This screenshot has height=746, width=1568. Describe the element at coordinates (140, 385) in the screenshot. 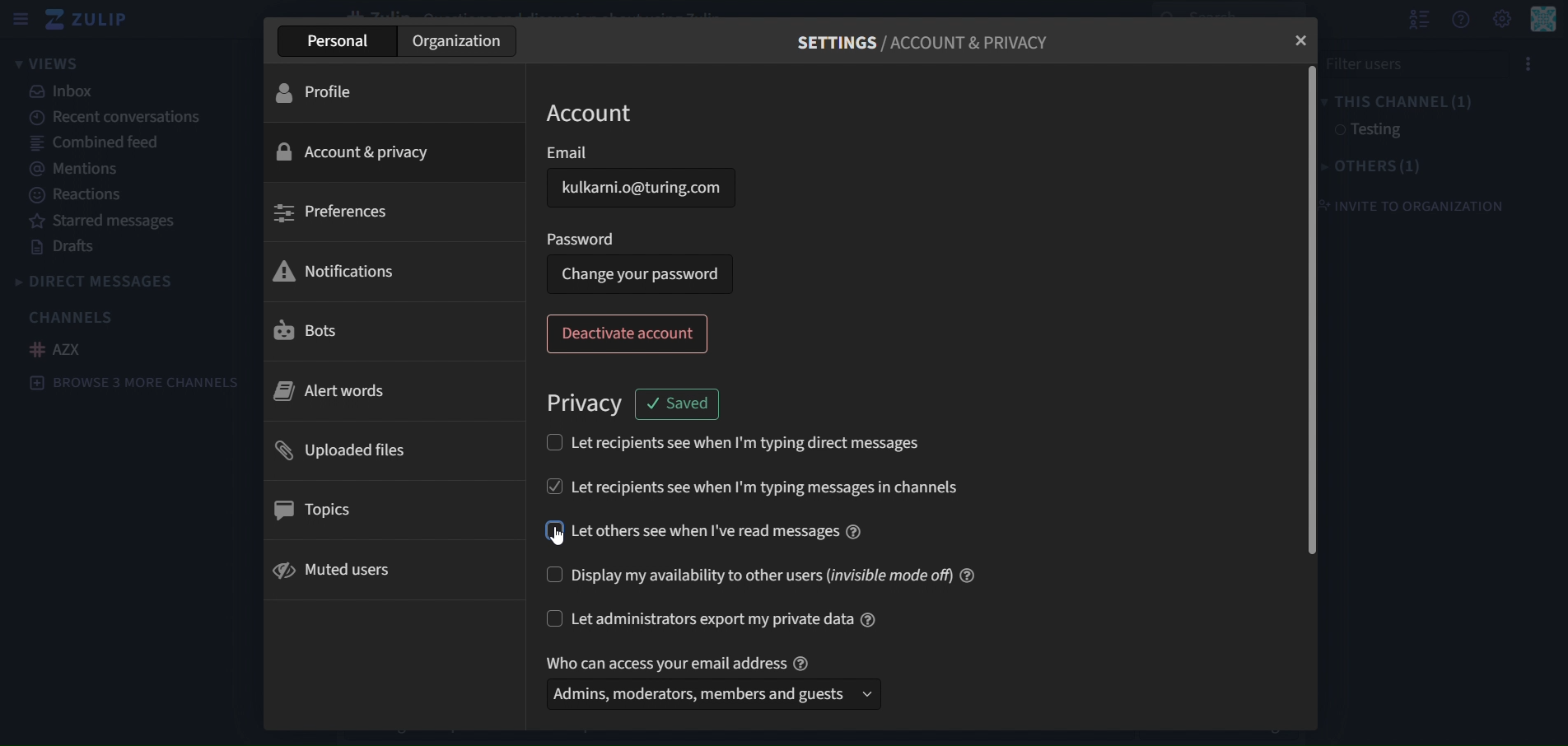

I see `Browse 3 more channels` at that location.